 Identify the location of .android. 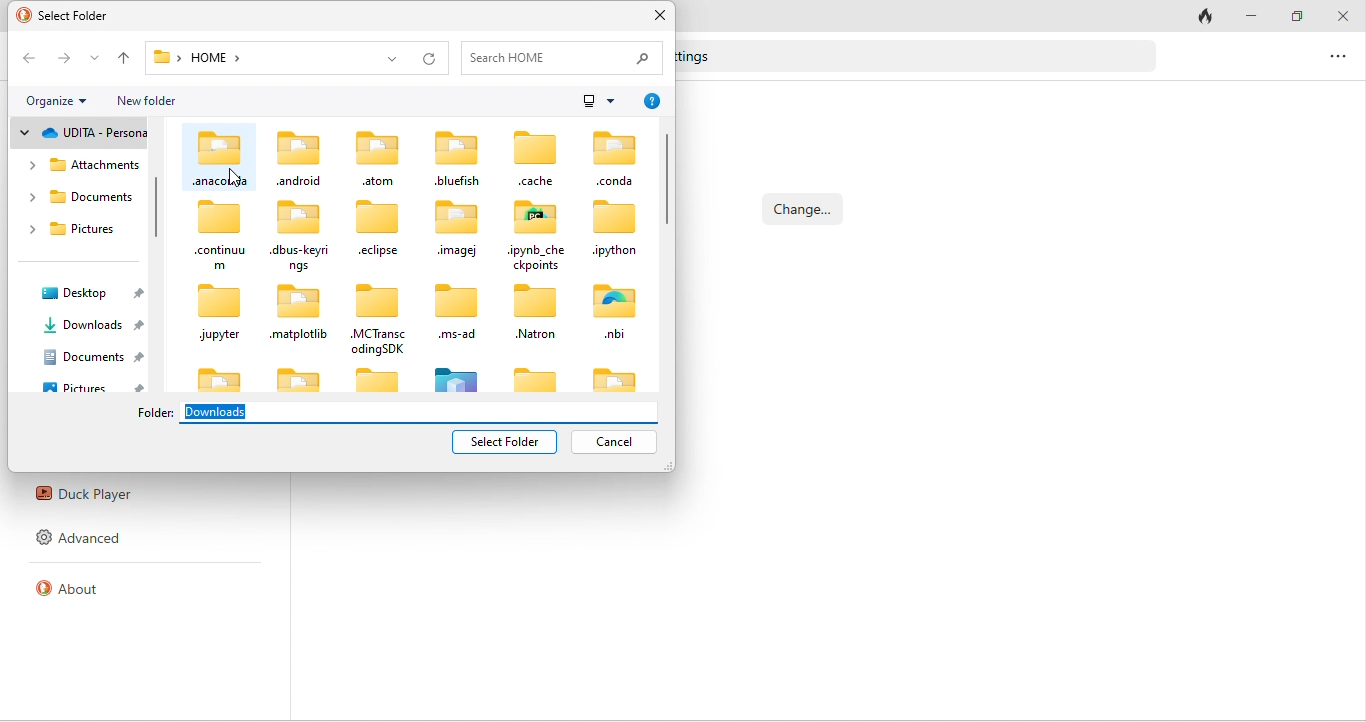
(300, 156).